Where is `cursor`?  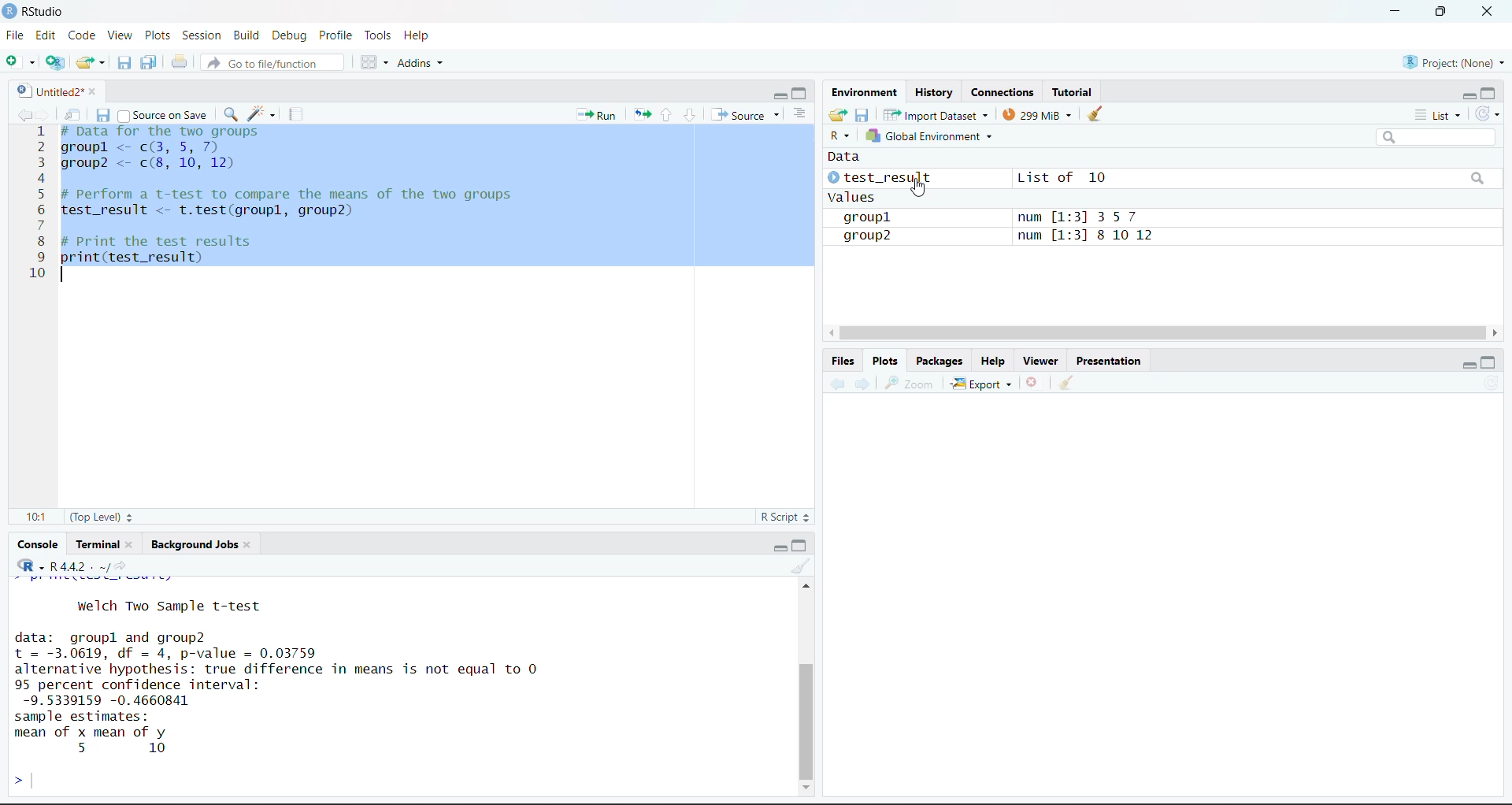 cursor is located at coordinates (919, 187).